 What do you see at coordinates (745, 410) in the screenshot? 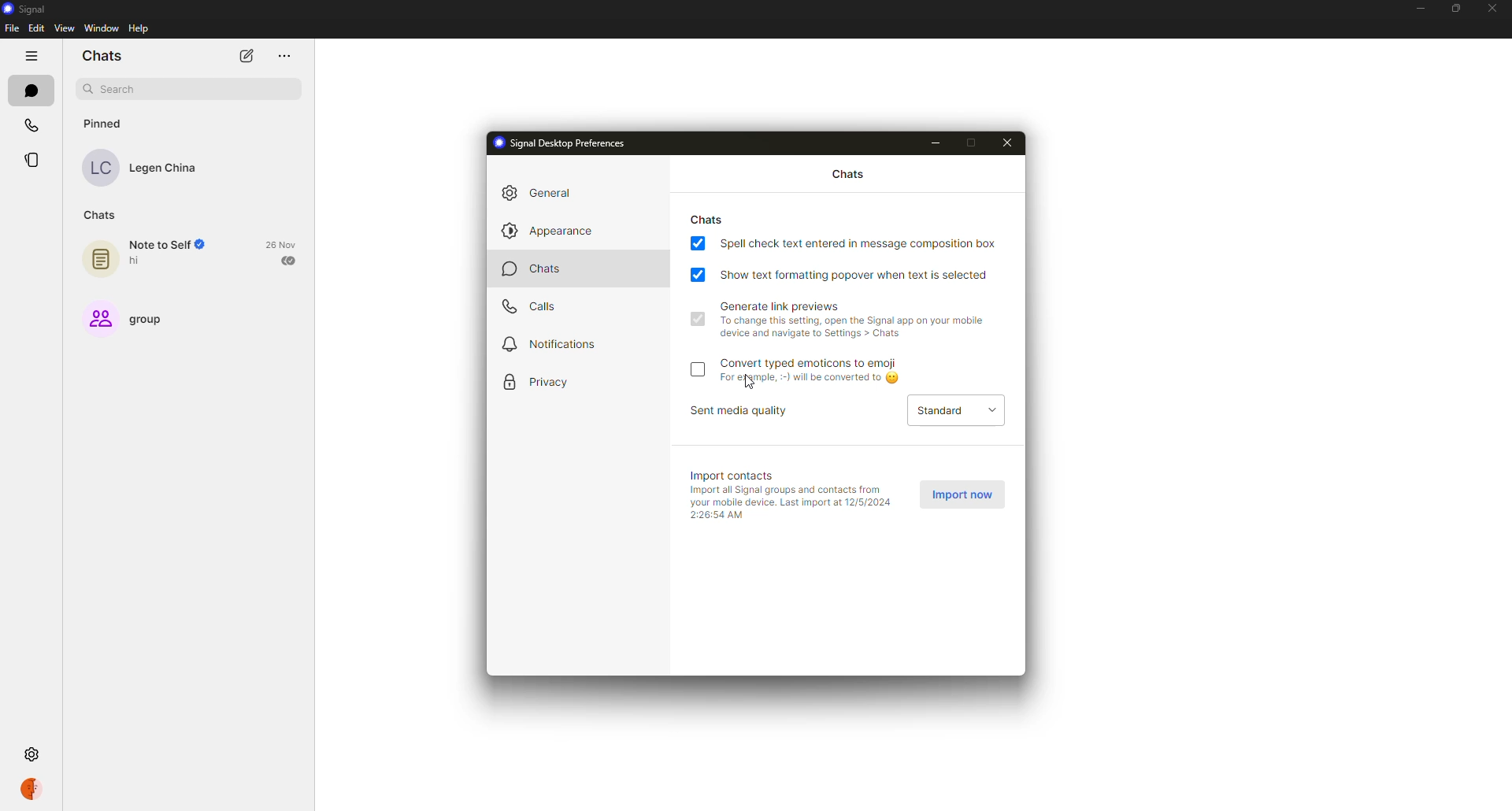
I see `sent media quality` at bounding box center [745, 410].